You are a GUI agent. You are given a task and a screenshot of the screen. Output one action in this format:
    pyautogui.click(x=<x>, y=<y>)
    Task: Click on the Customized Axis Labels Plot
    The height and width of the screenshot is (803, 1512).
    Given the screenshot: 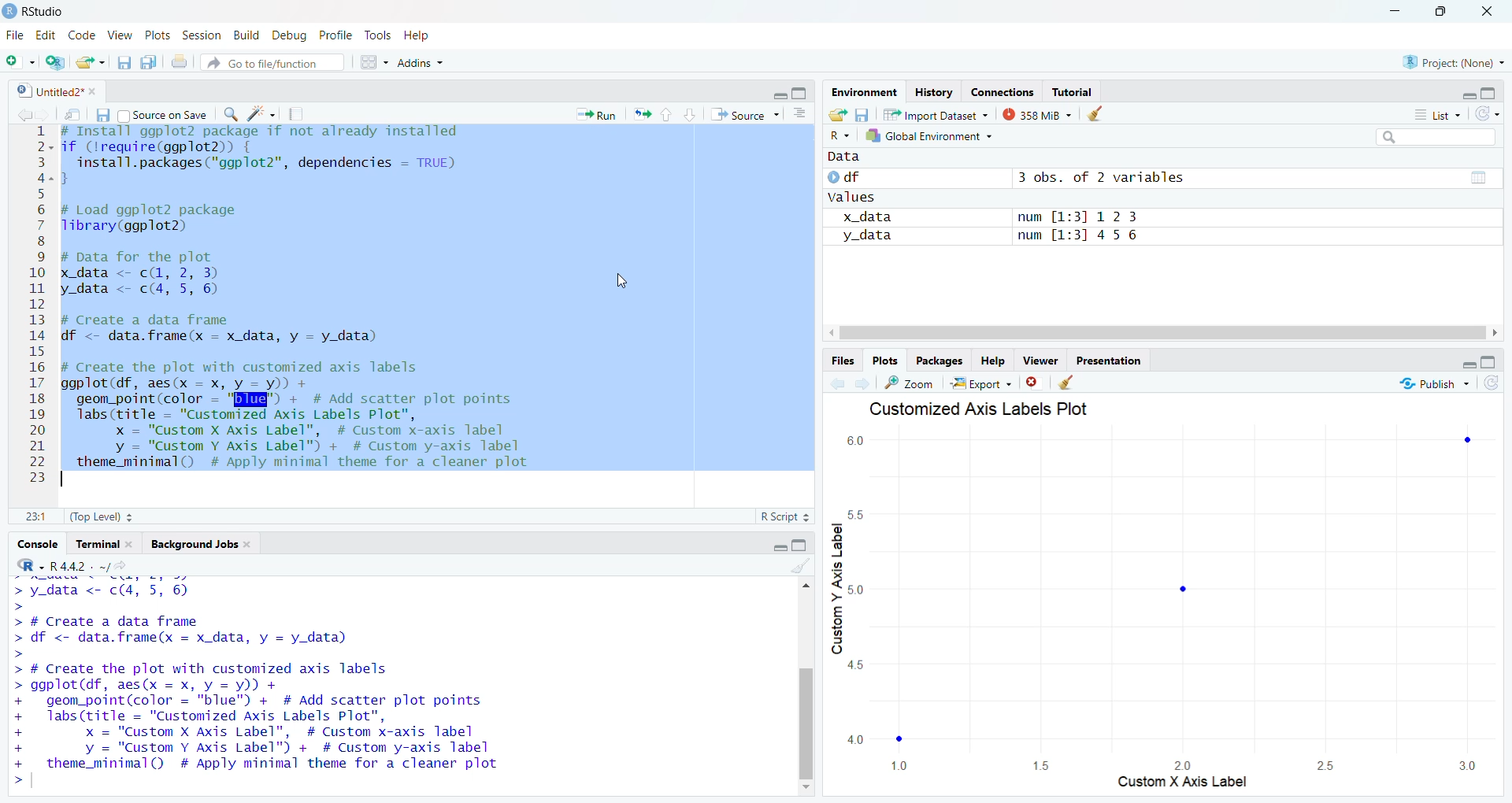 What is the action you would take?
    pyautogui.click(x=976, y=409)
    